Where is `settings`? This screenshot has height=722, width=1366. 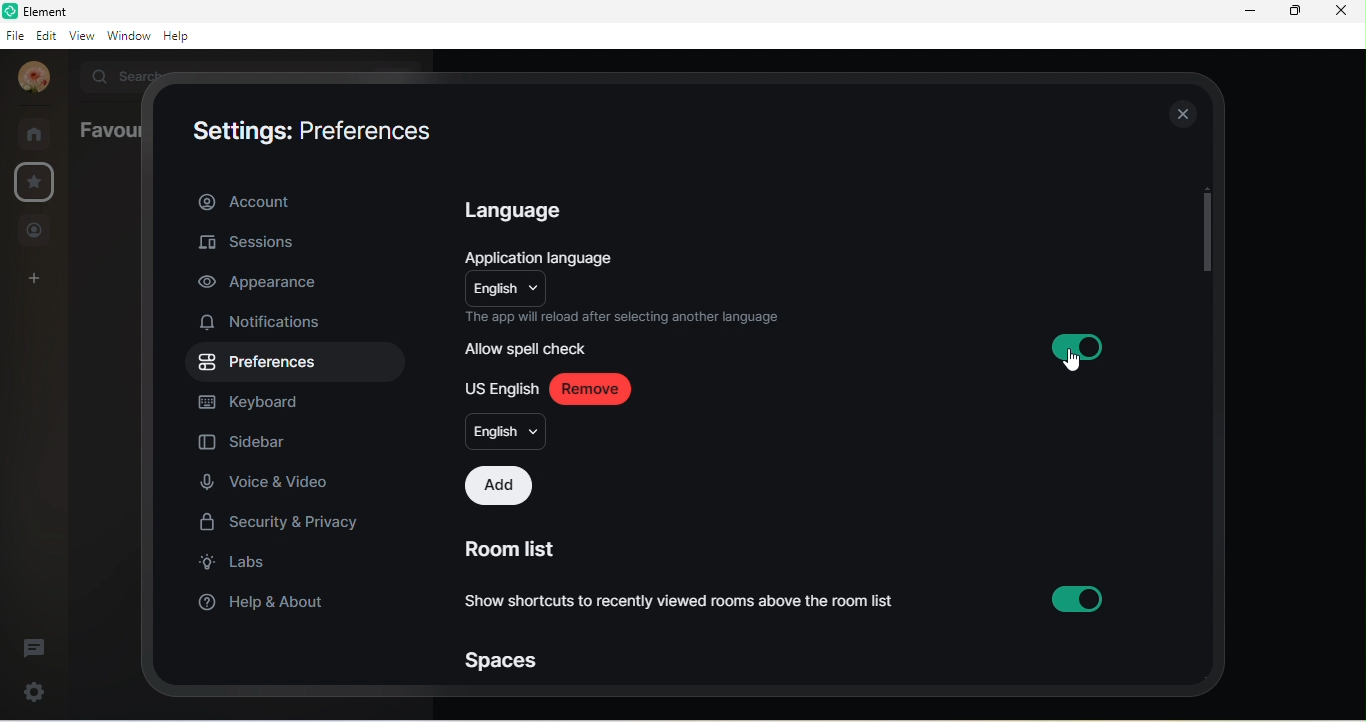 settings is located at coordinates (33, 690).